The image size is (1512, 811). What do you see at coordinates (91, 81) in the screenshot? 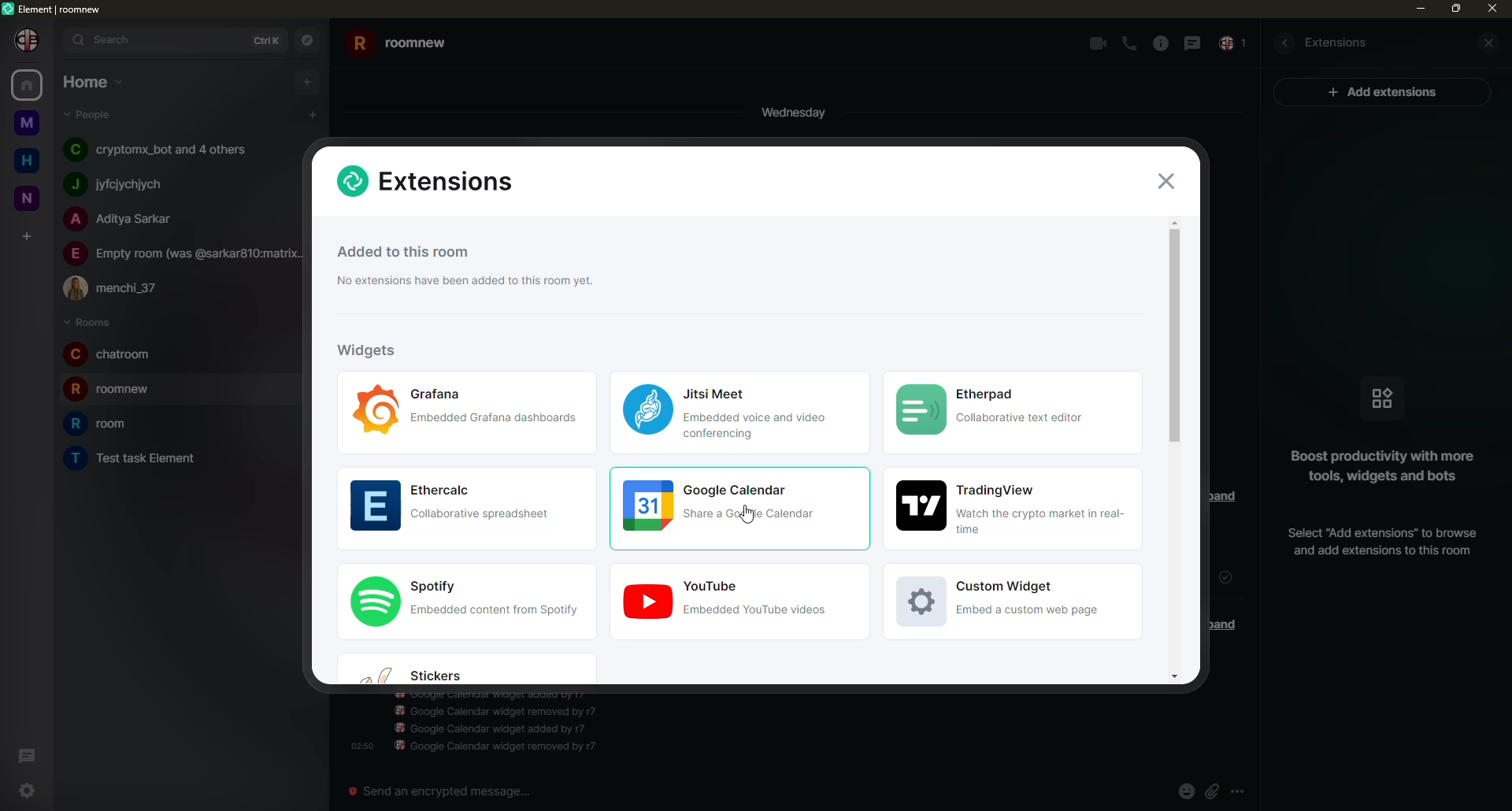
I see `home` at bounding box center [91, 81].